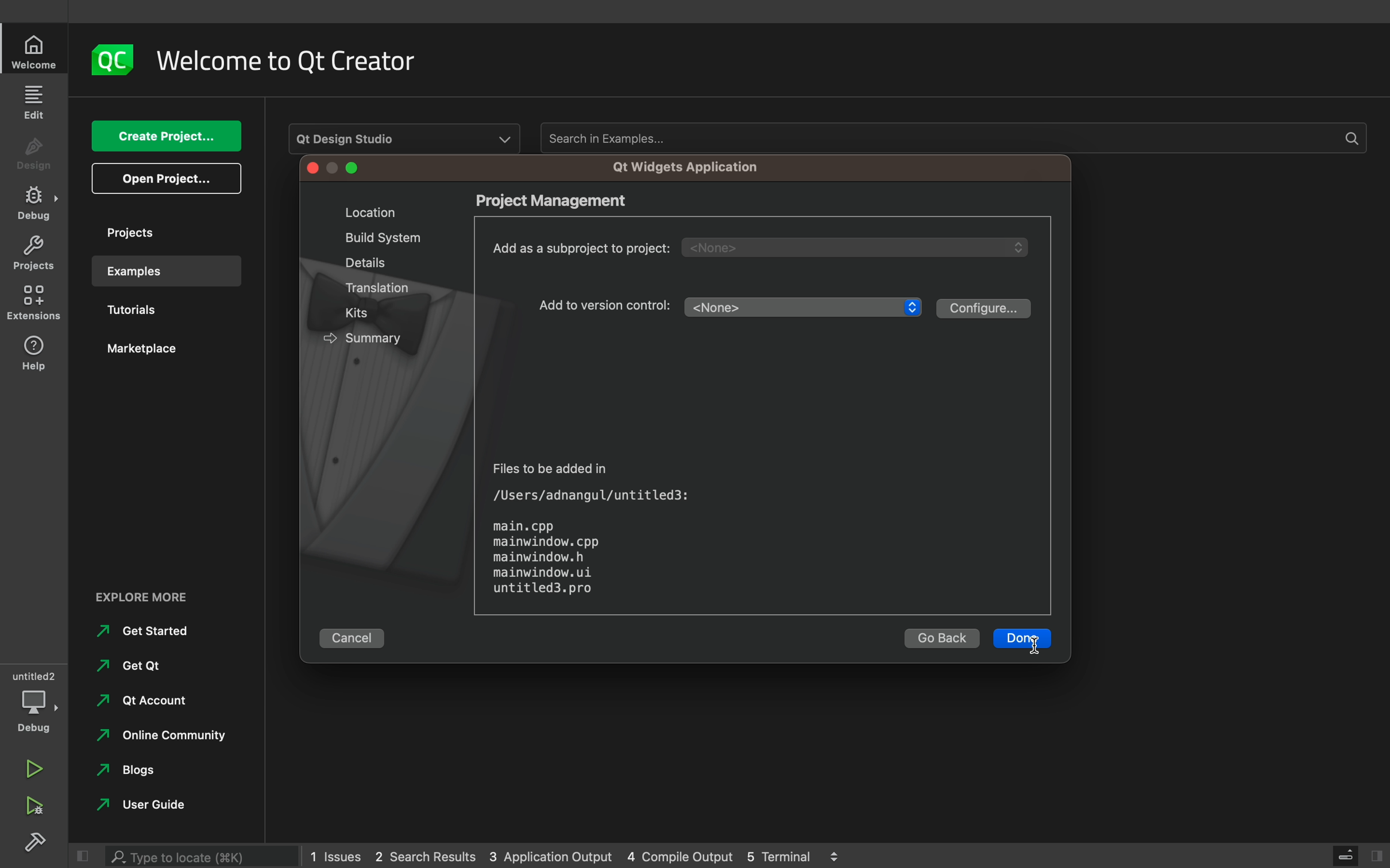 The height and width of the screenshot is (868, 1390). Describe the element at coordinates (370, 237) in the screenshot. I see `` at that location.